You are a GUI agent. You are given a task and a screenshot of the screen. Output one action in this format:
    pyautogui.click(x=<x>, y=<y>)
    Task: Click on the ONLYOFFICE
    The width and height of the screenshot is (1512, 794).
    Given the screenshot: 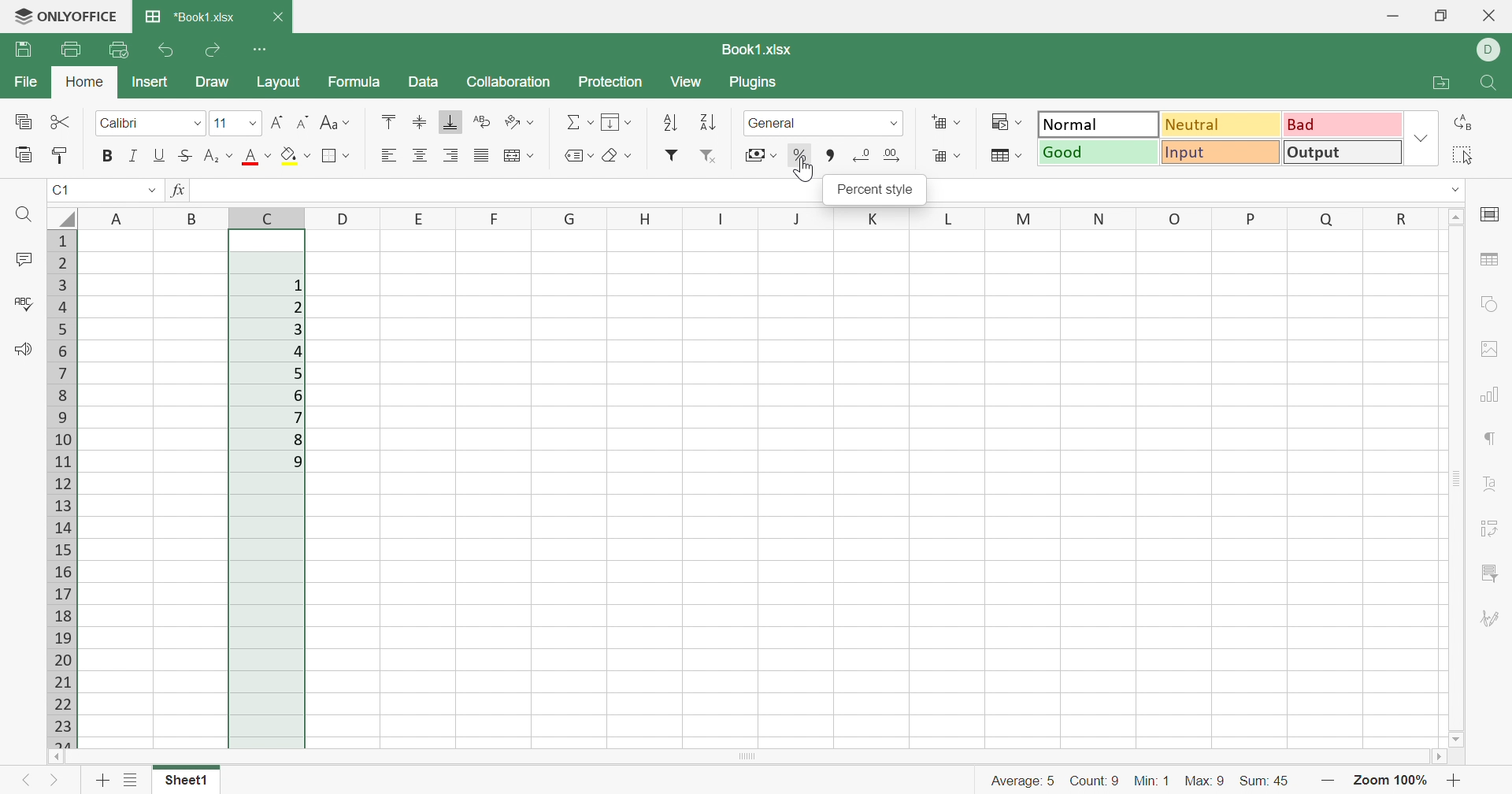 What is the action you would take?
    pyautogui.click(x=63, y=17)
    